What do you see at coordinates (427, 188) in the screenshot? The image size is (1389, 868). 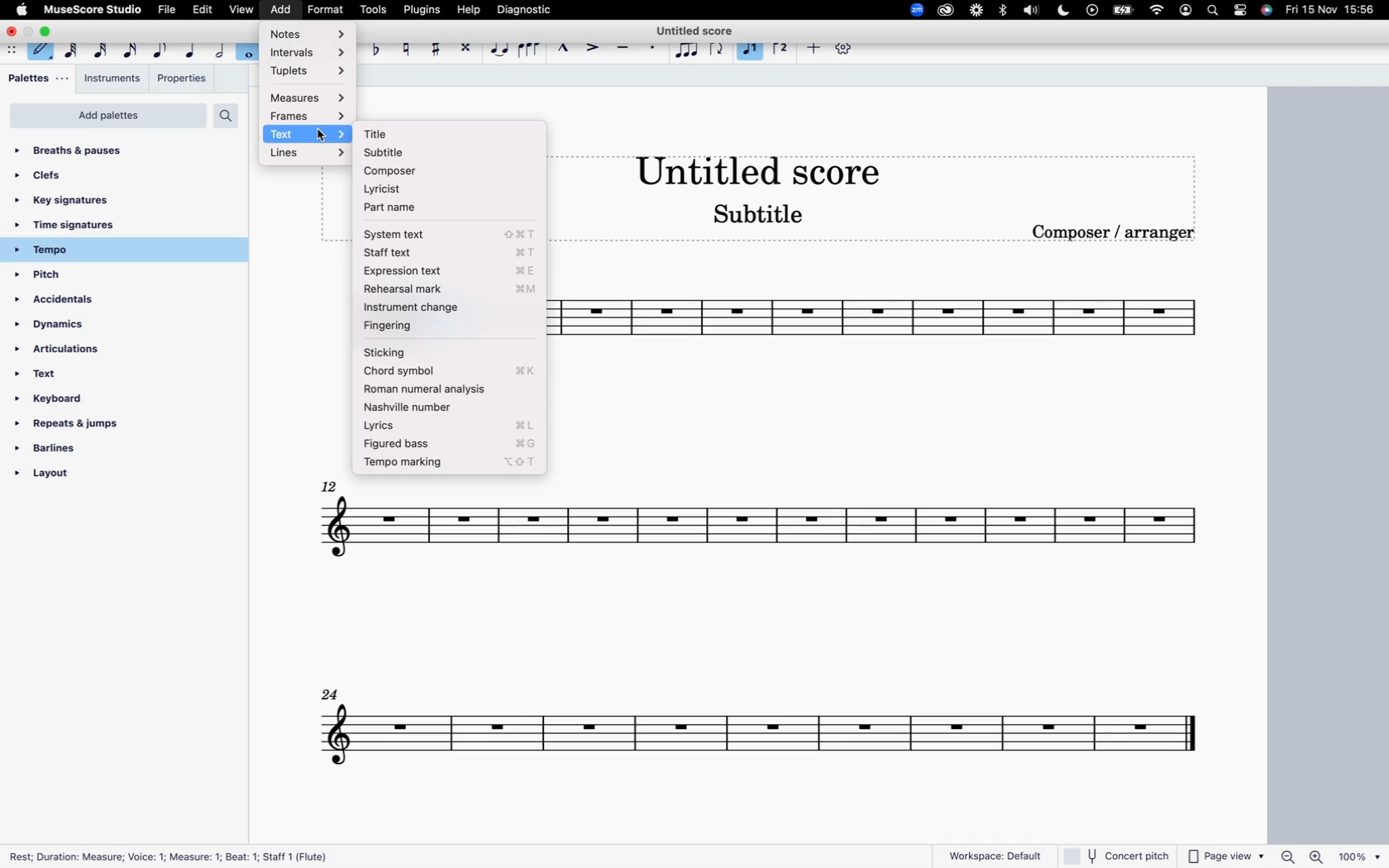 I see `lyricist` at bounding box center [427, 188].